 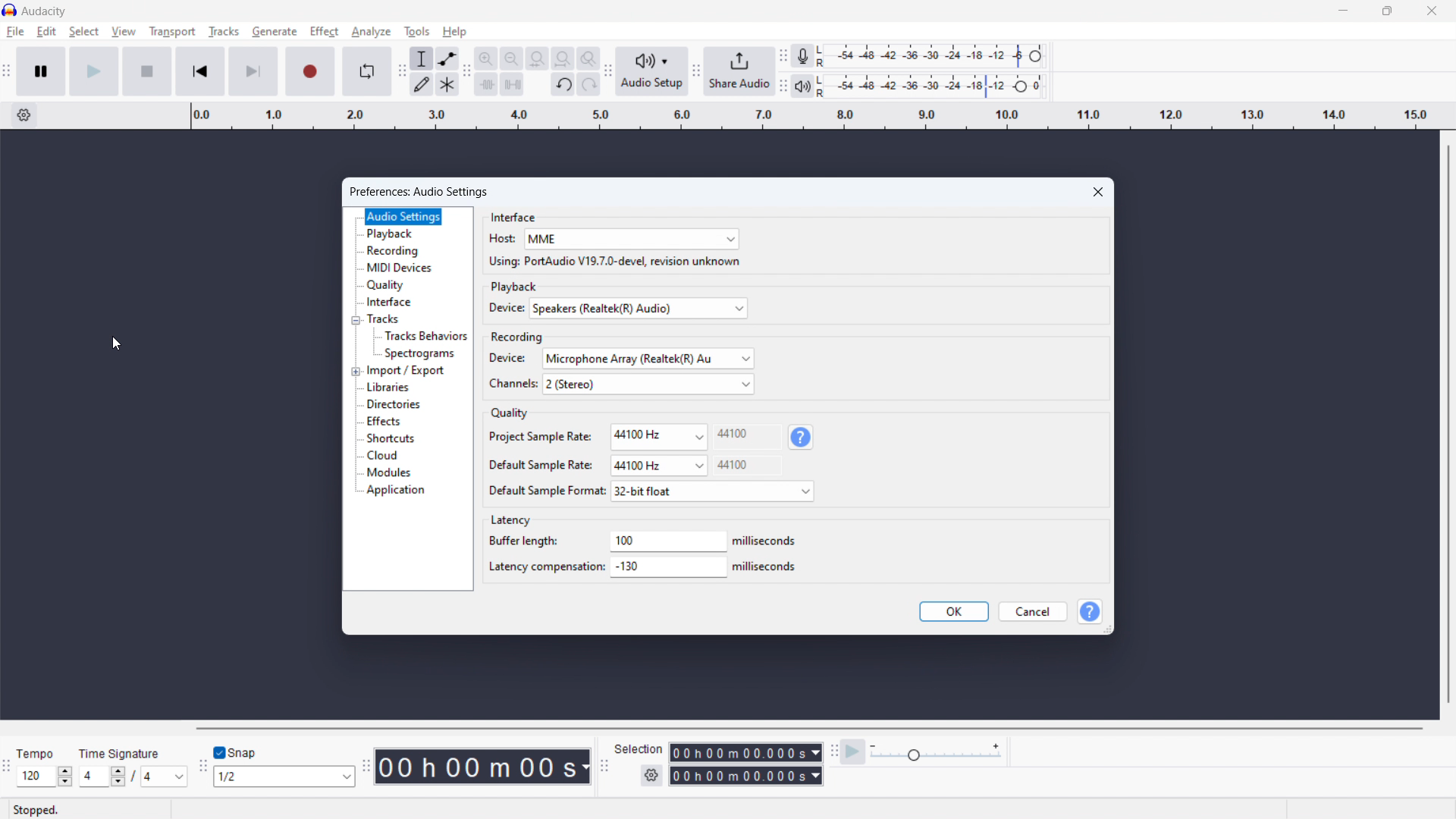 I want to click on  Device, so click(x=504, y=309).